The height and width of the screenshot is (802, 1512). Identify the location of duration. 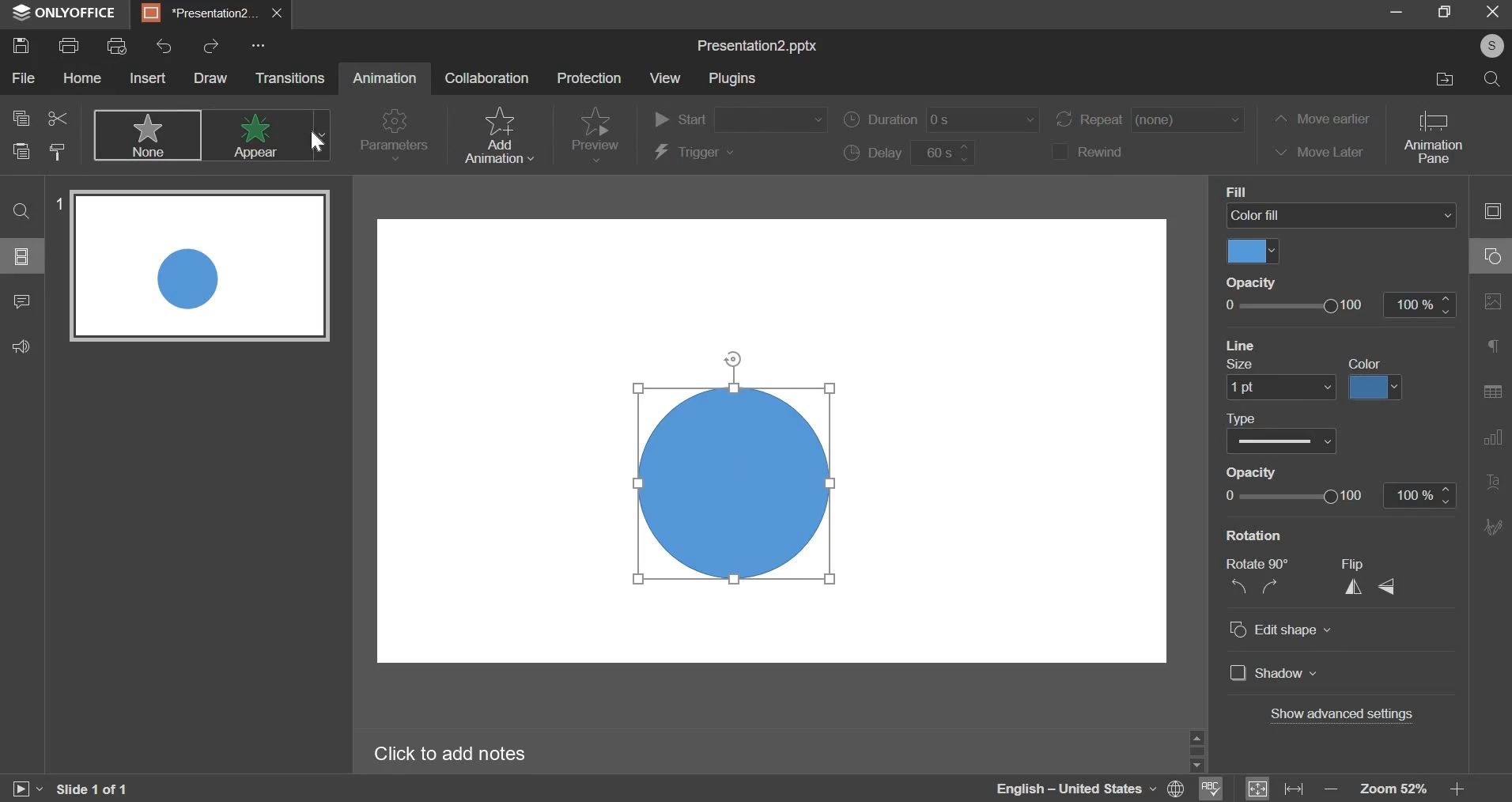
(941, 120).